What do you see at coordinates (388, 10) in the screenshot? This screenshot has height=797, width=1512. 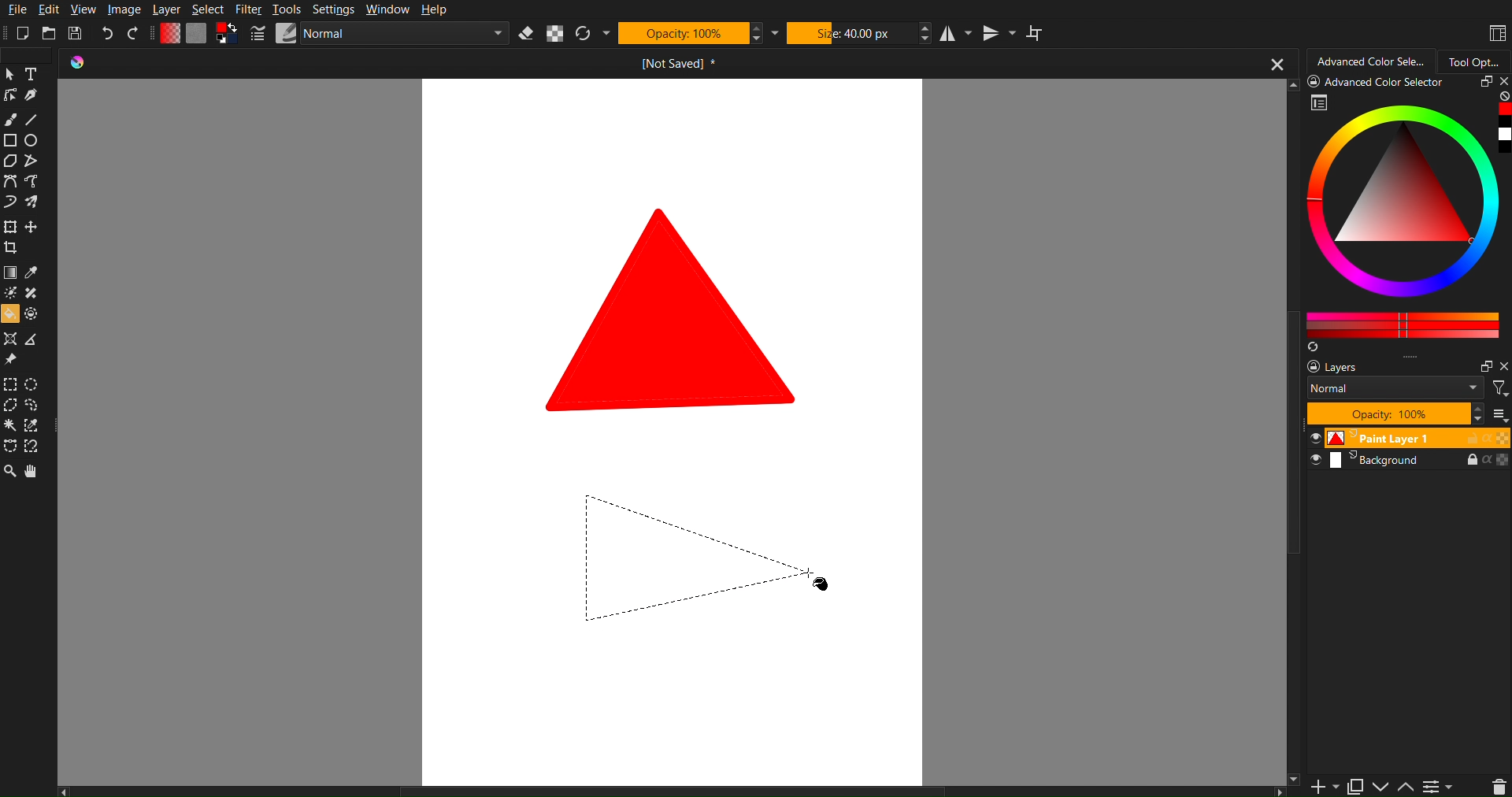 I see `Window` at bounding box center [388, 10].